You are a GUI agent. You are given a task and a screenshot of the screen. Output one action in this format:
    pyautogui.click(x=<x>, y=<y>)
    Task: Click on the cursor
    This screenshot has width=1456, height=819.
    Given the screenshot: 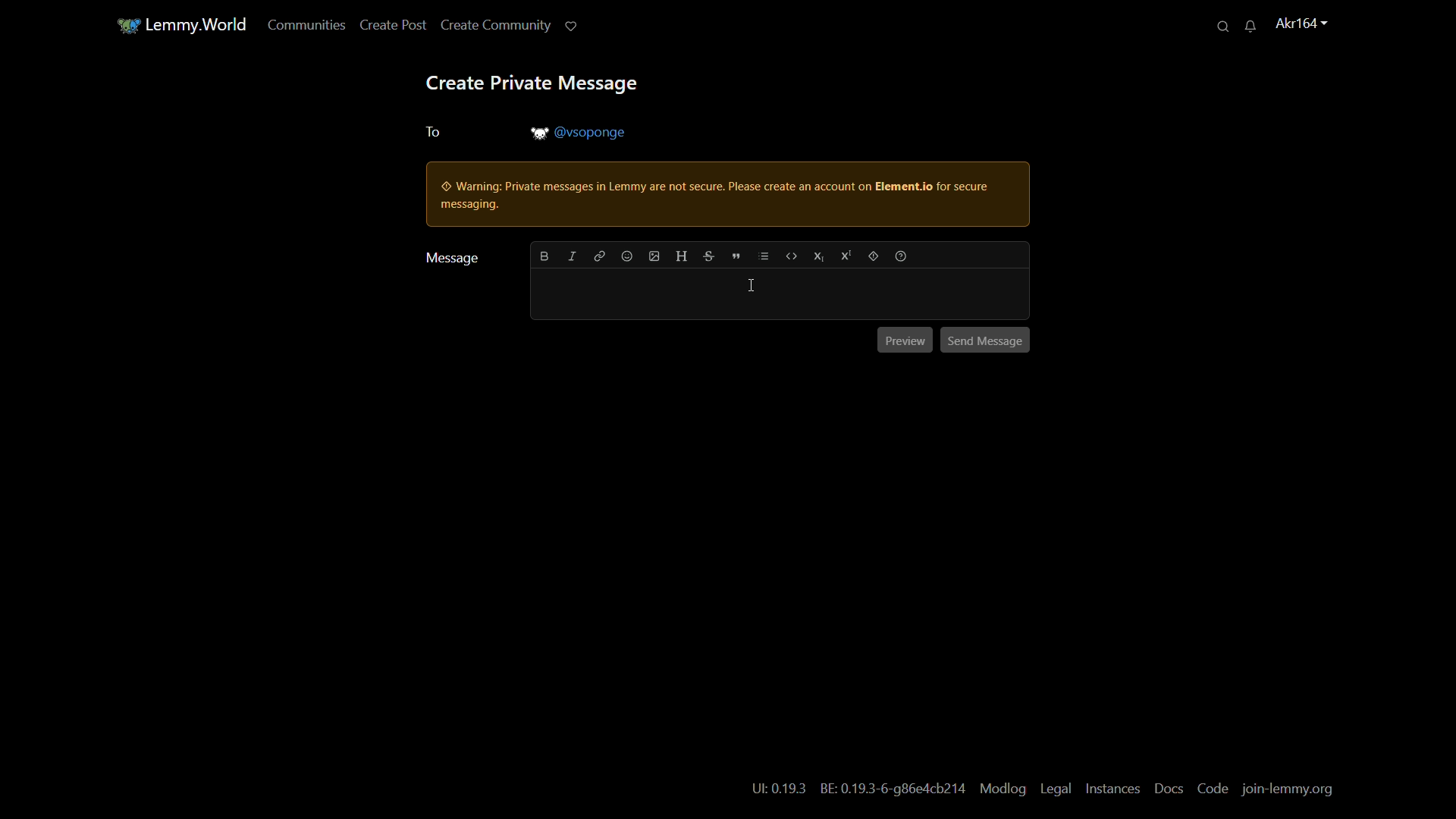 What is the action you would take?
    pyautogui.click(x=750, y=289)
    